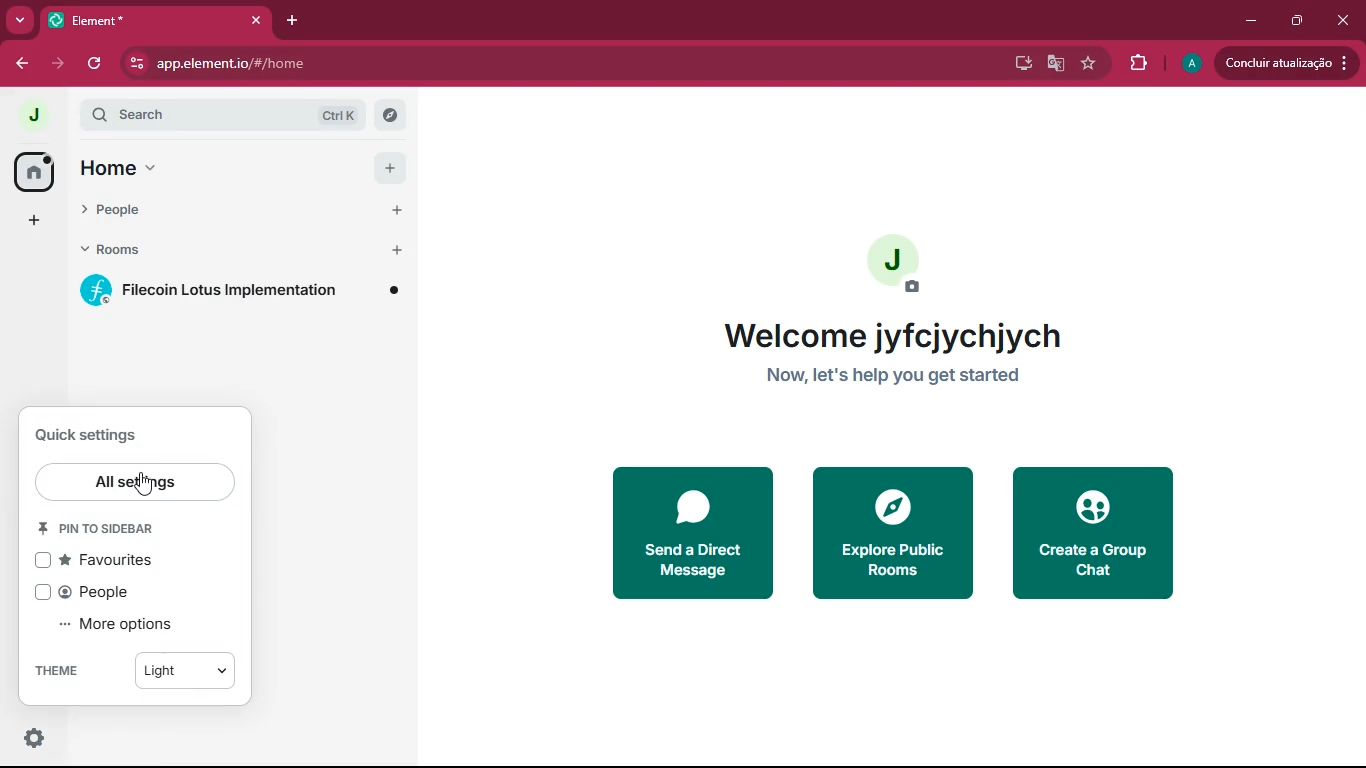 The height and width of the screenshot is (768, 1366). I want to click on people, so click(127, 595).